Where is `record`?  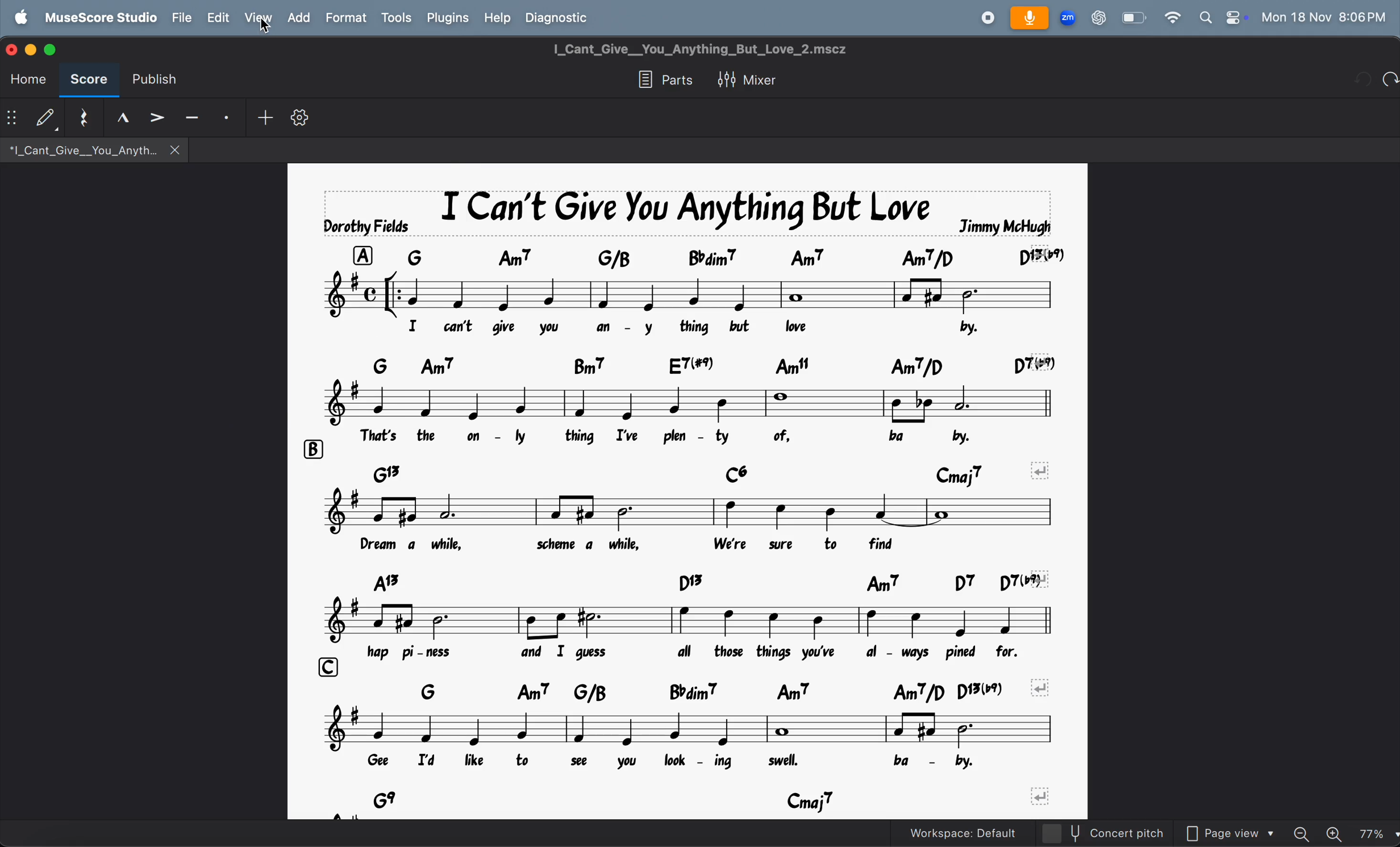
record is located at coordinates (985, 17).